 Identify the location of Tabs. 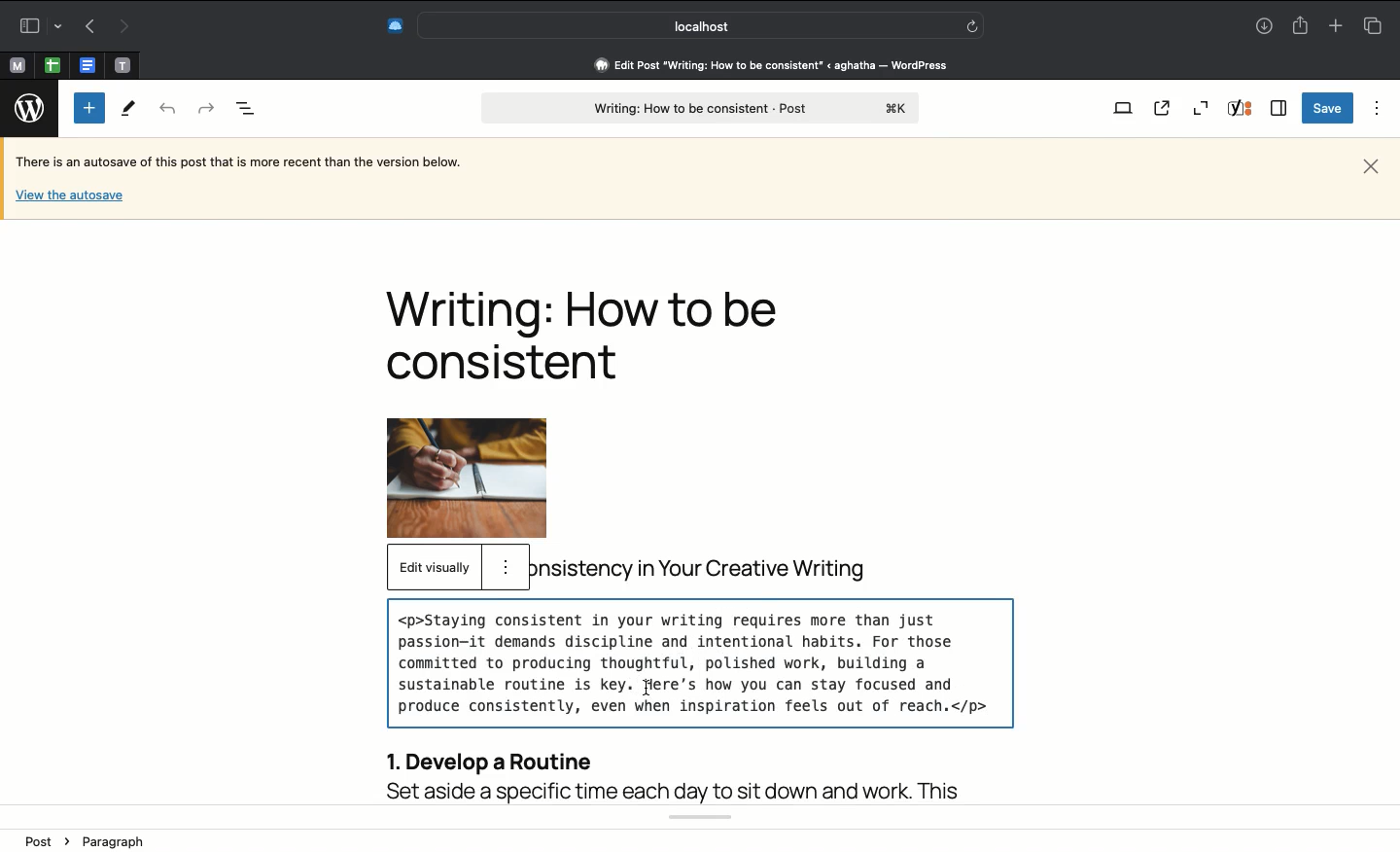
(1372, 25).